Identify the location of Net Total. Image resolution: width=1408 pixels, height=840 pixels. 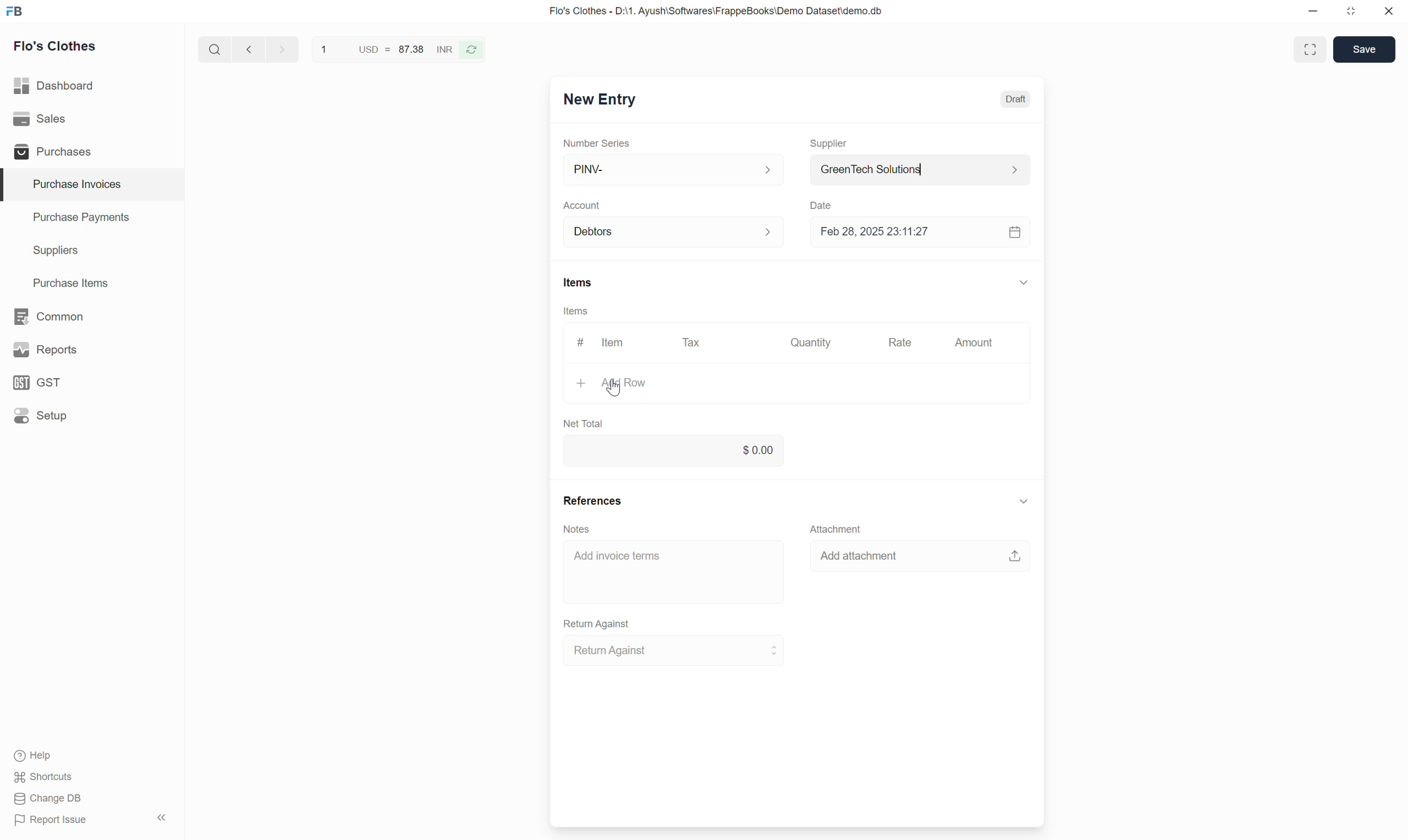
(584, 423).